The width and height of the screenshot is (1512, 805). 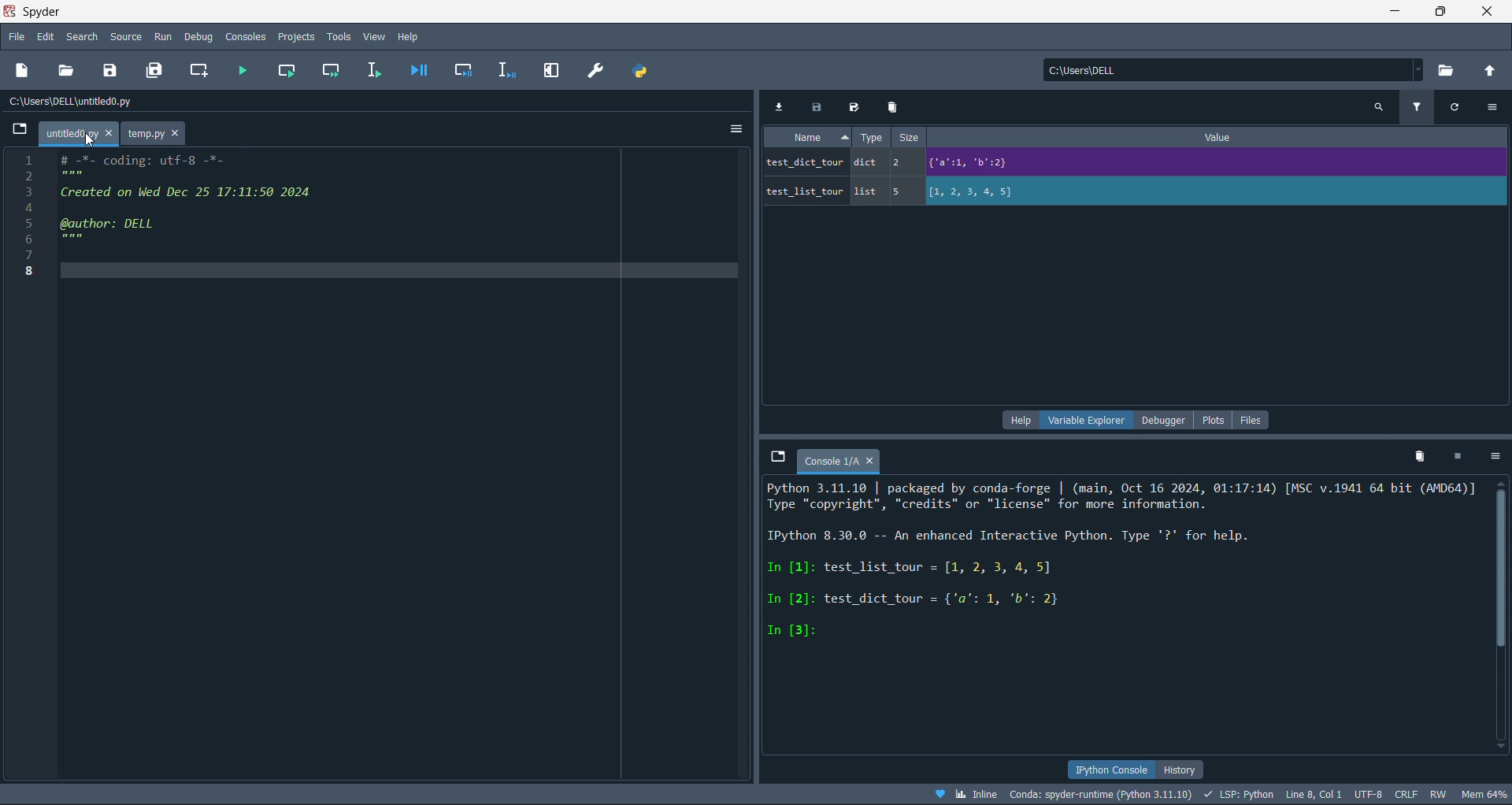 What do you see at coordinates (1216, 420) in the screenshot?
I see `plots pane` at bounding box center [1216, 420].